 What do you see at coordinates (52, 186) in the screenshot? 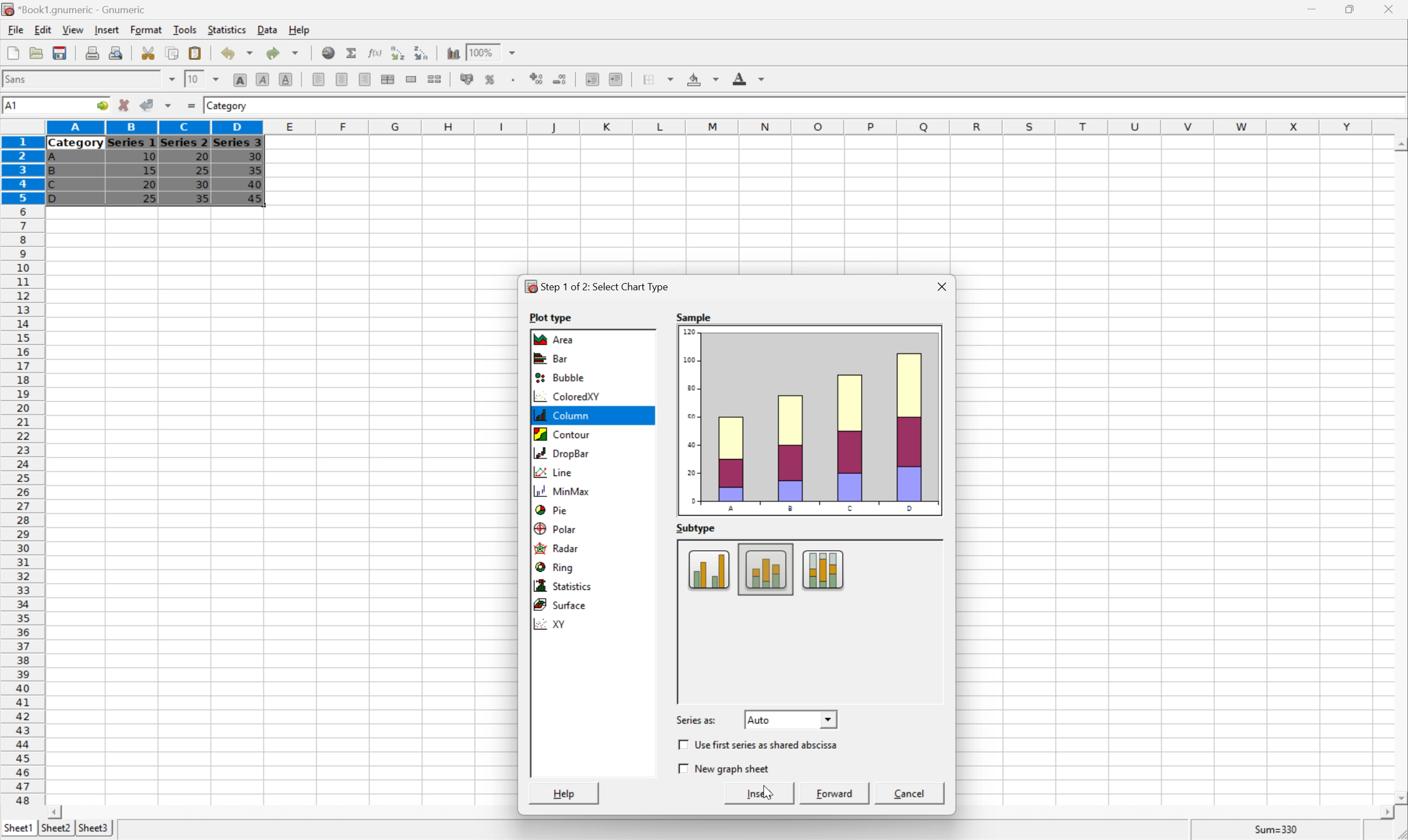
I see `C` at bounding box center [52, 186].